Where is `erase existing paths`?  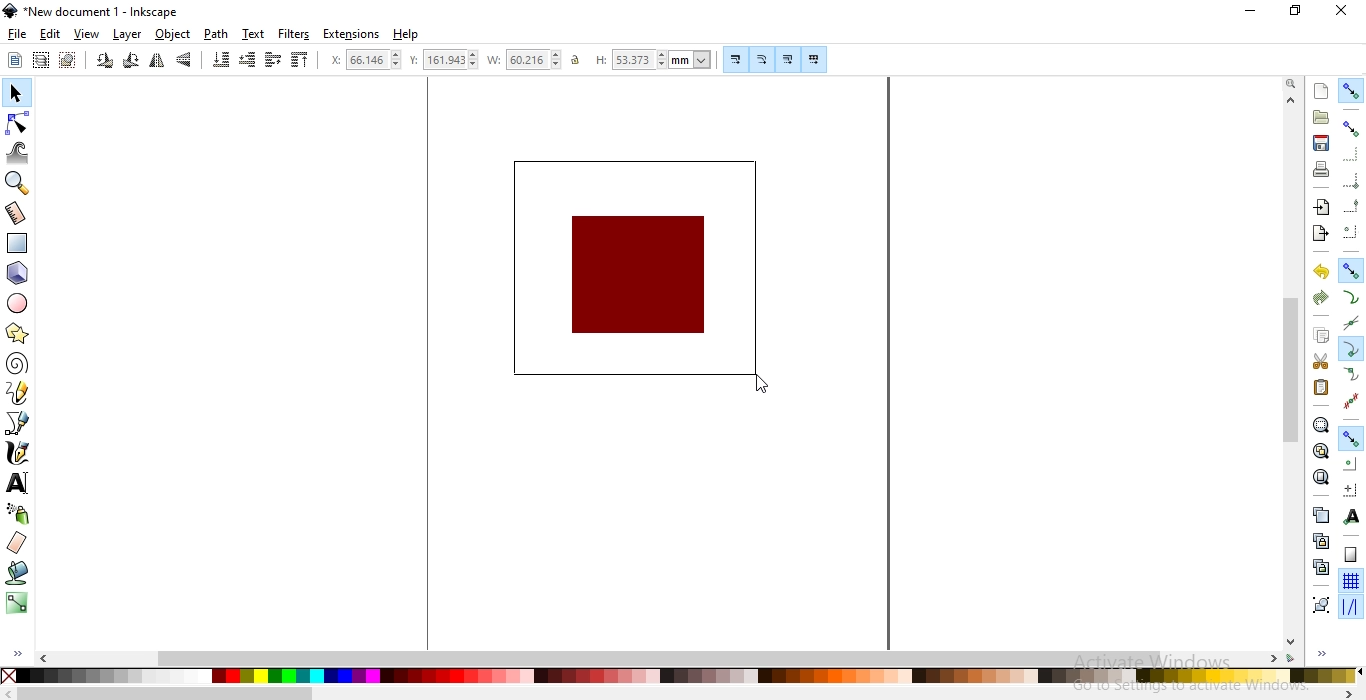 erase existing paths is located at coordinates (17, 544).